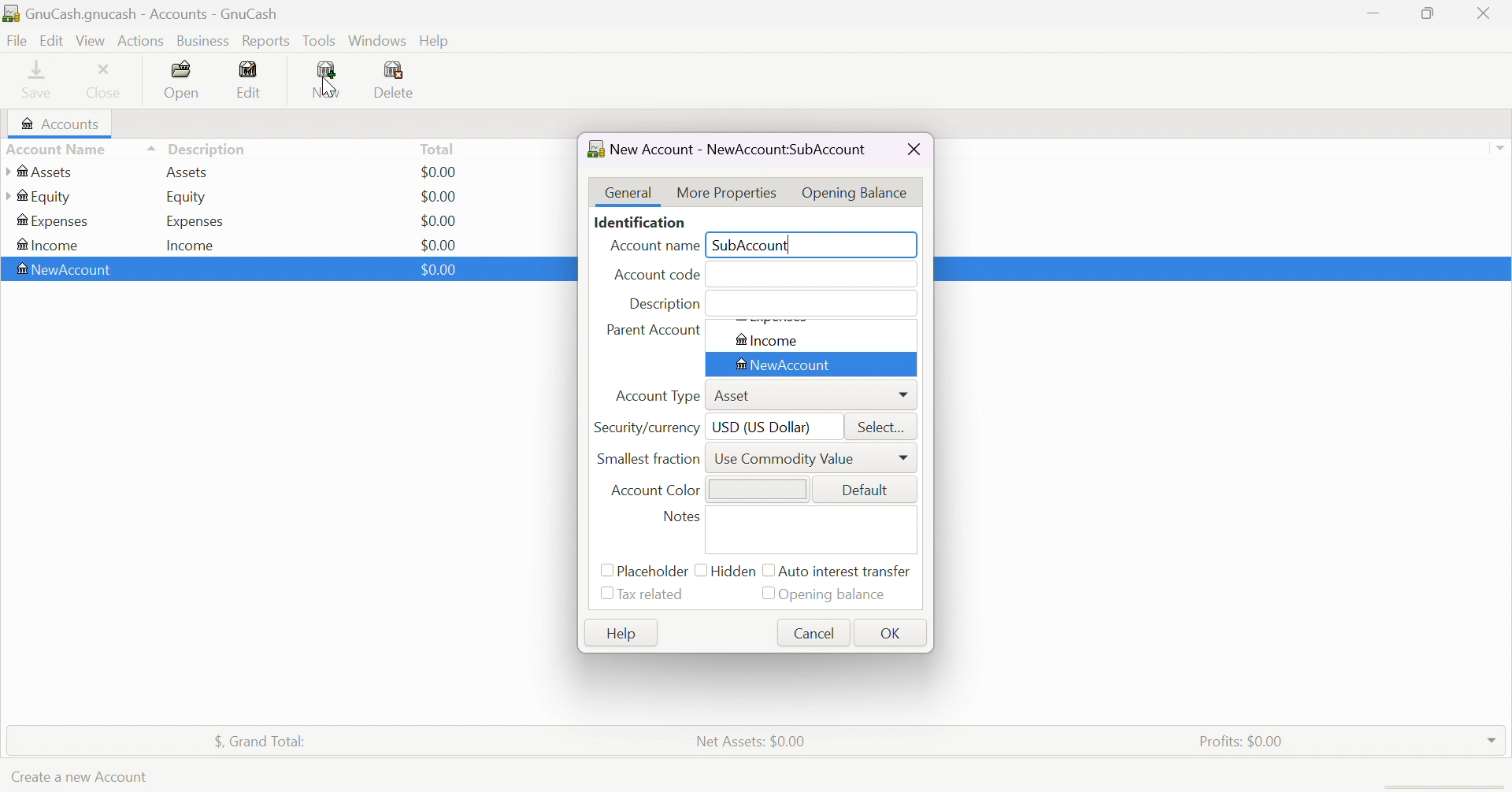  I want to click on Use Commodity Vlue, so click(786, 459).